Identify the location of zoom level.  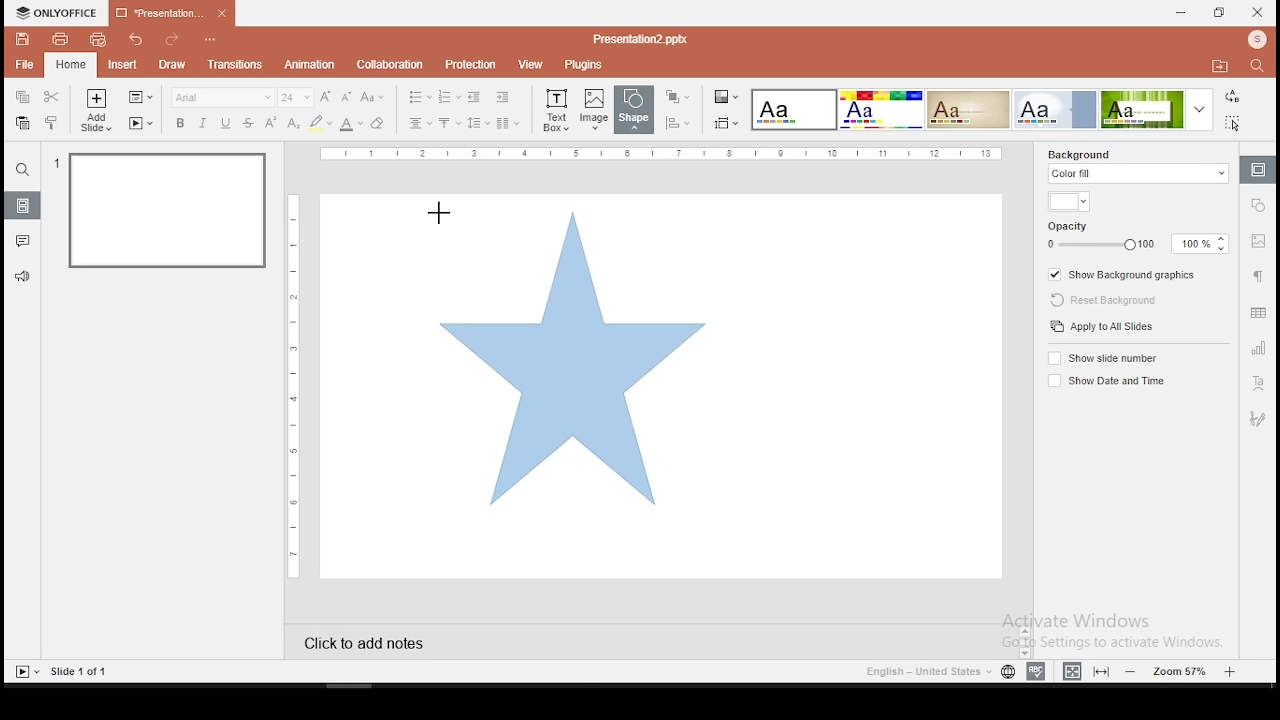
(1182, 670).